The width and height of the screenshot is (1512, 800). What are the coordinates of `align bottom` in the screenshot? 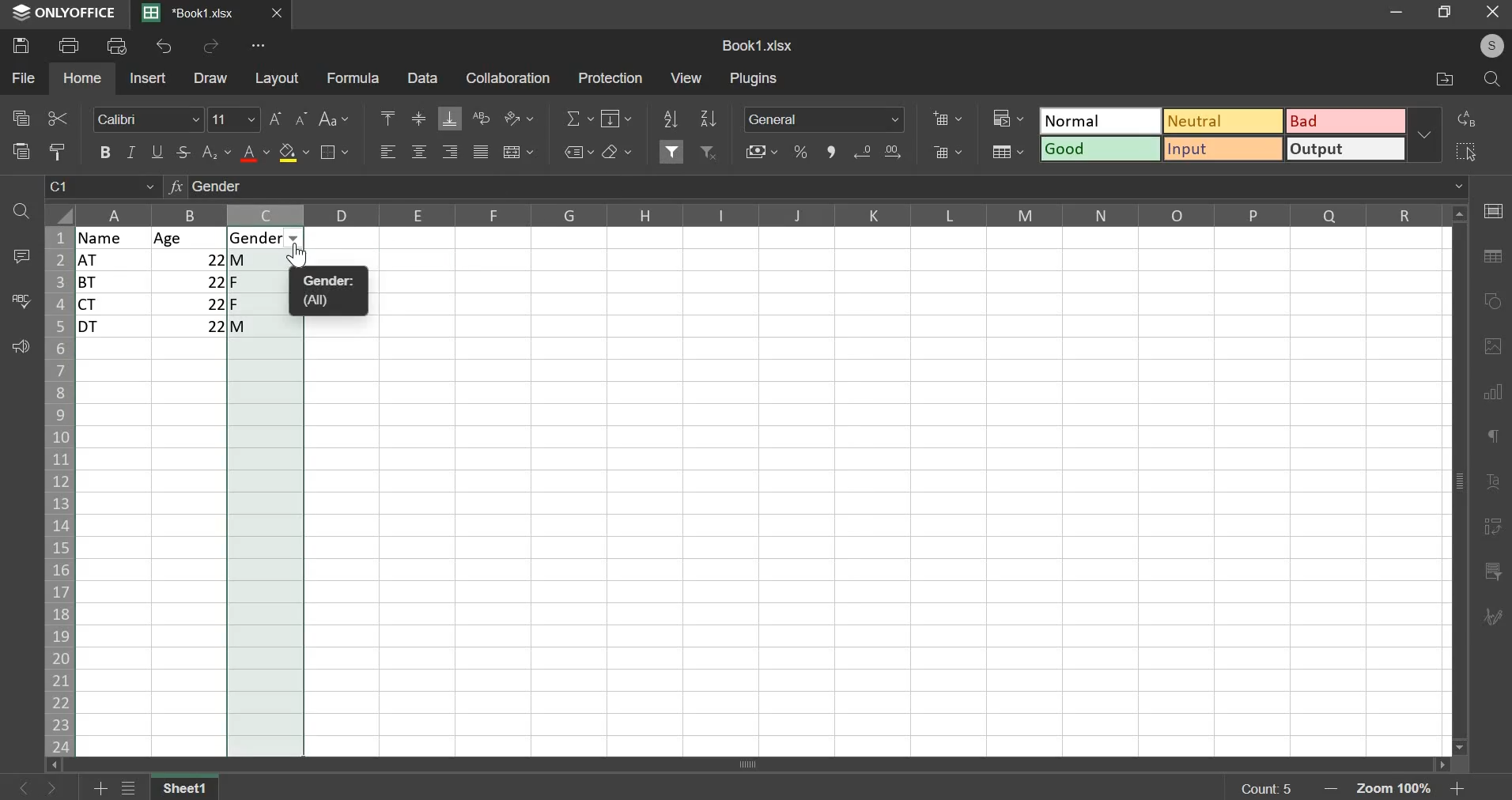 It's located at (449, 119).